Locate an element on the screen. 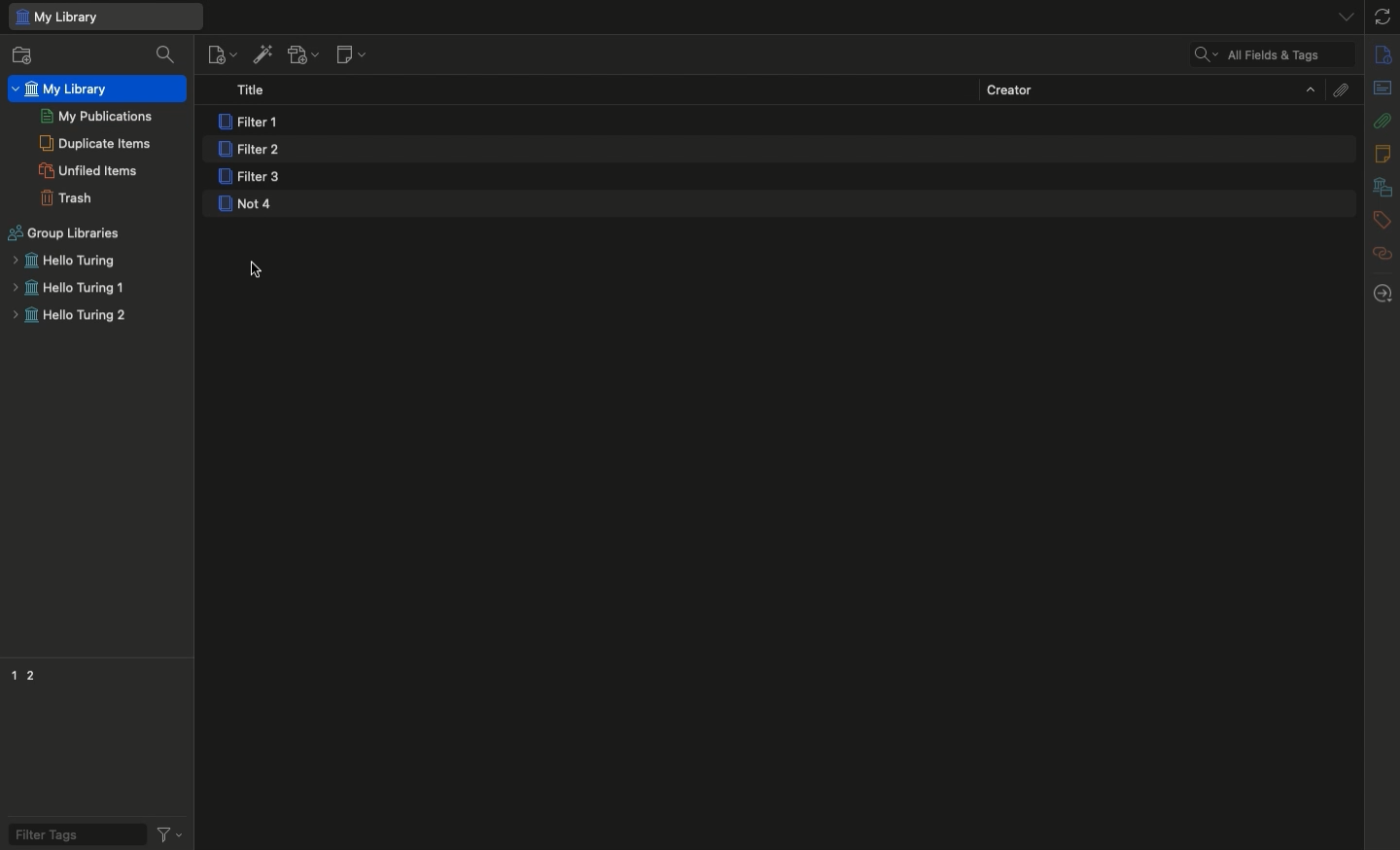 The height and width of the screenshot is (850, 1400). Creator is located at coordinates (1150, 89).